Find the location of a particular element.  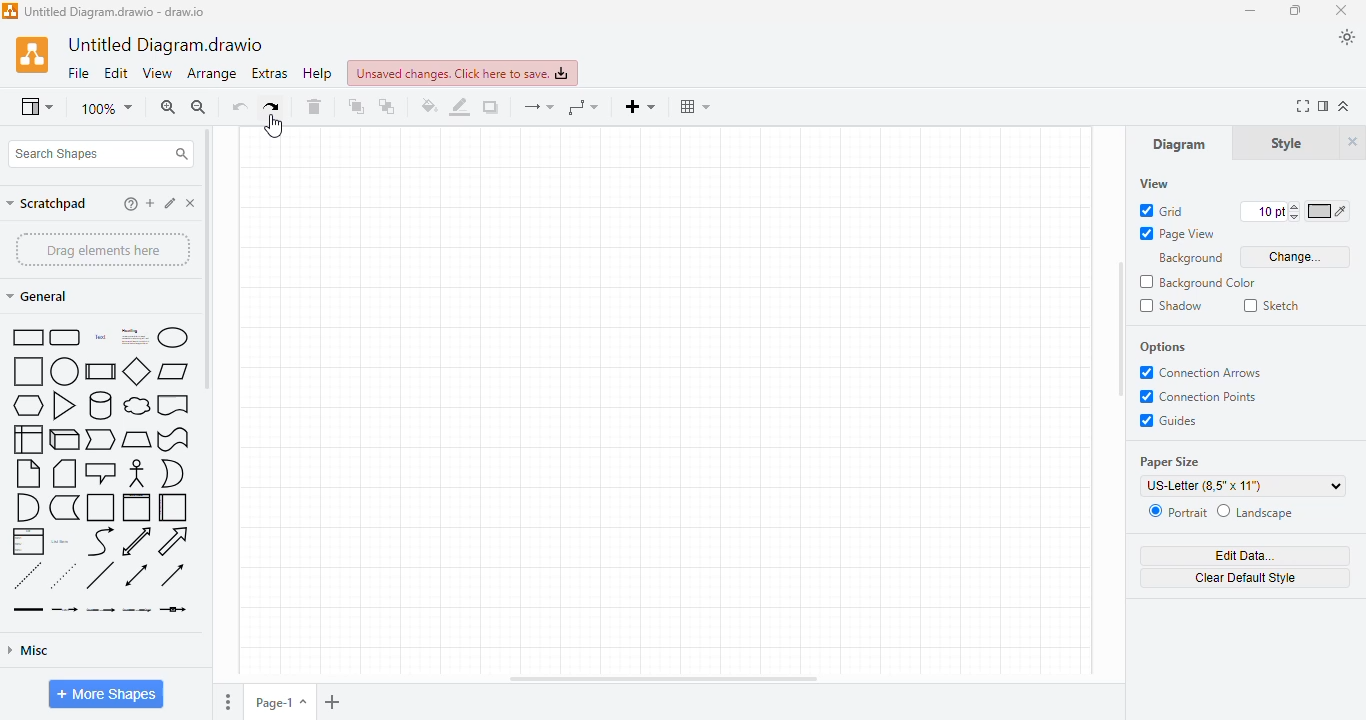

process is located at coordinates (100, 371).